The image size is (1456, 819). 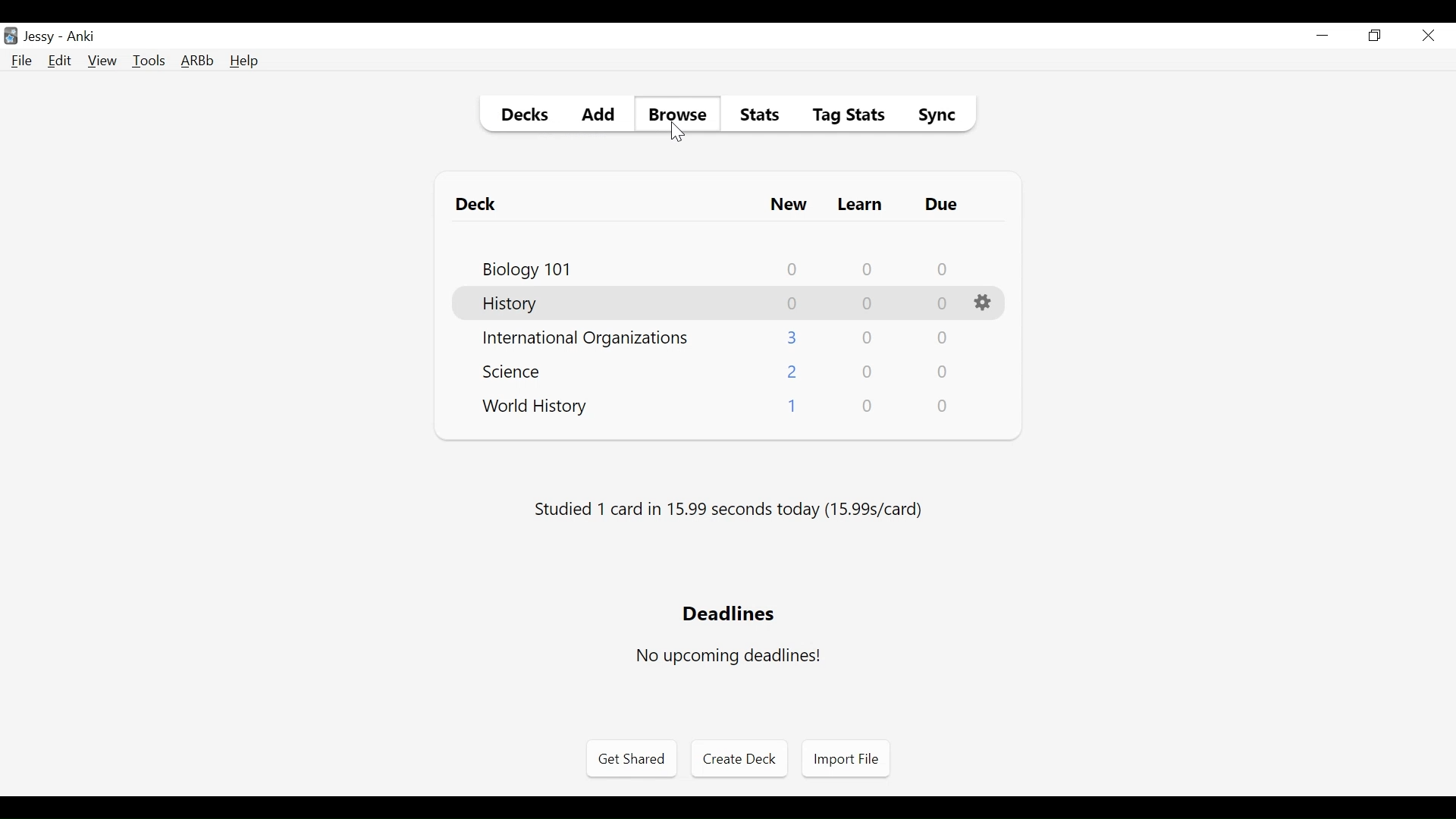 I want to click on Learn, so click(x=859, y=203).